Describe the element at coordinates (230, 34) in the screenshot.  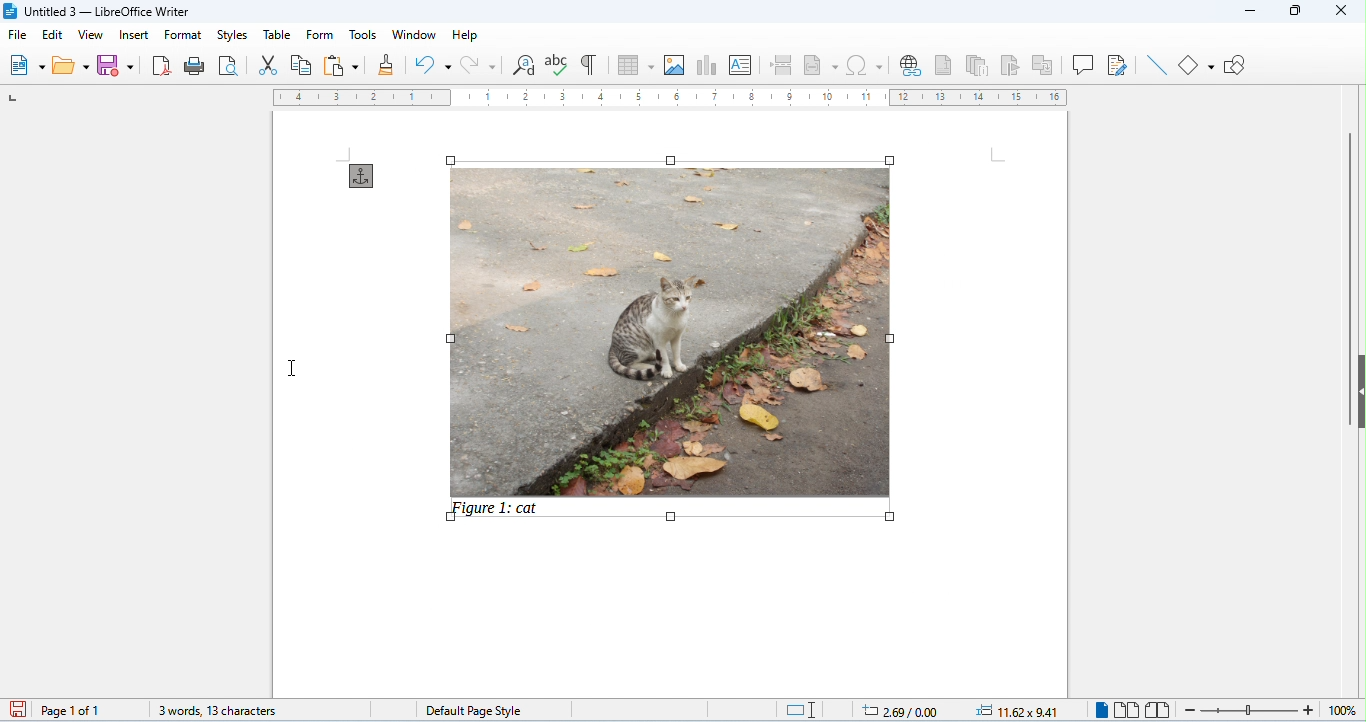
I see `styles` at that location.